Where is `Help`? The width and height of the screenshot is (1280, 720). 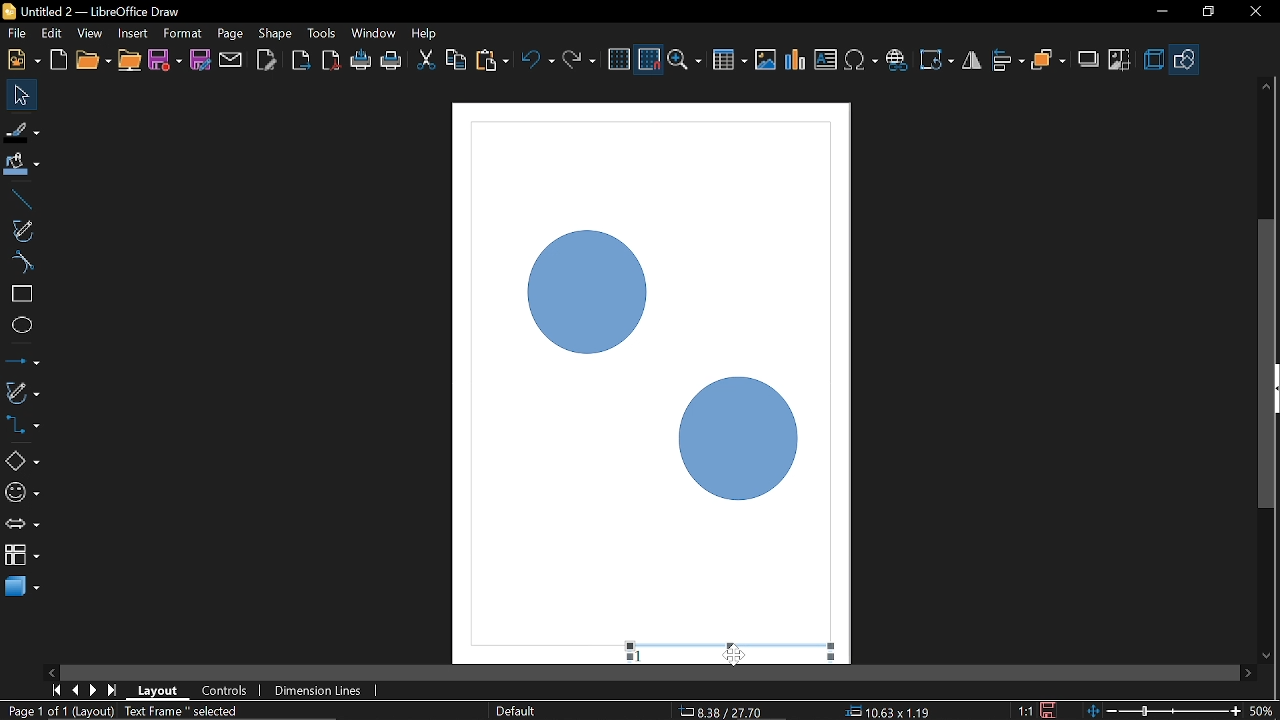
Help is located at coordinates (426, 33).